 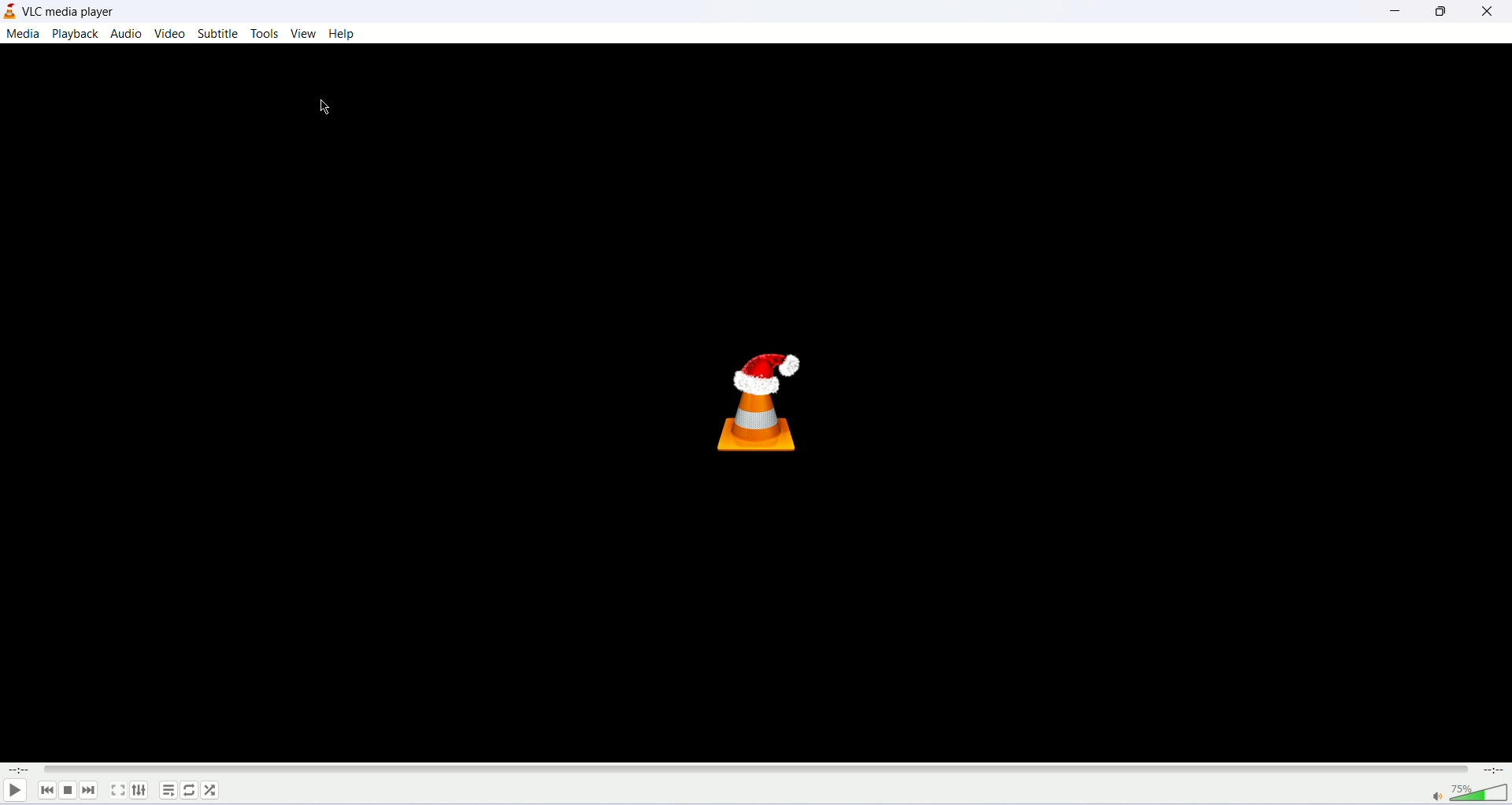 What do you see at coordinates (168, 790) in the screenshot?
I see `toggle playlist` at bounding box center [168, 790].